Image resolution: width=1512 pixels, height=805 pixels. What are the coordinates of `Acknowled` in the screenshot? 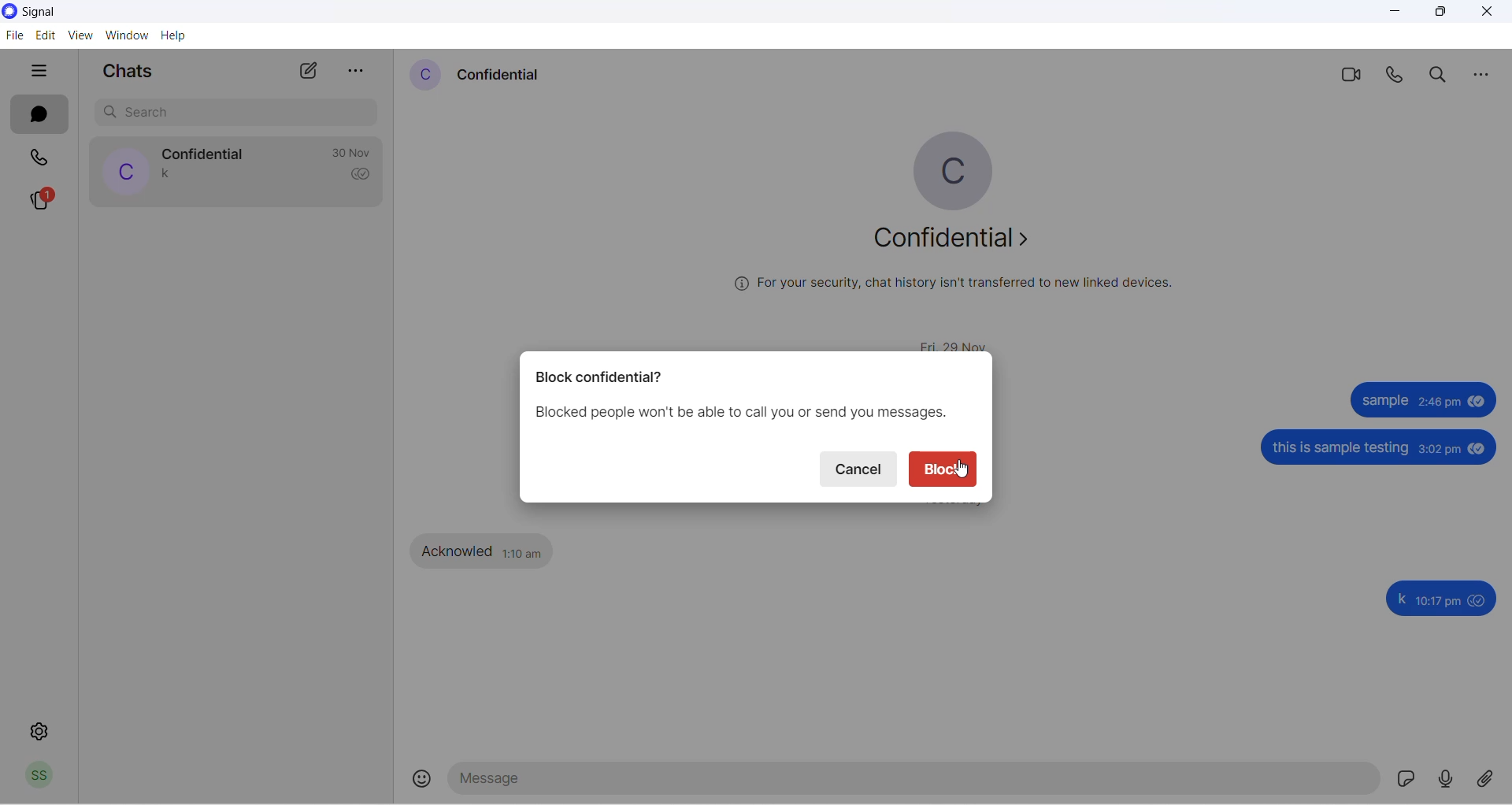 It's located at (460, 551).